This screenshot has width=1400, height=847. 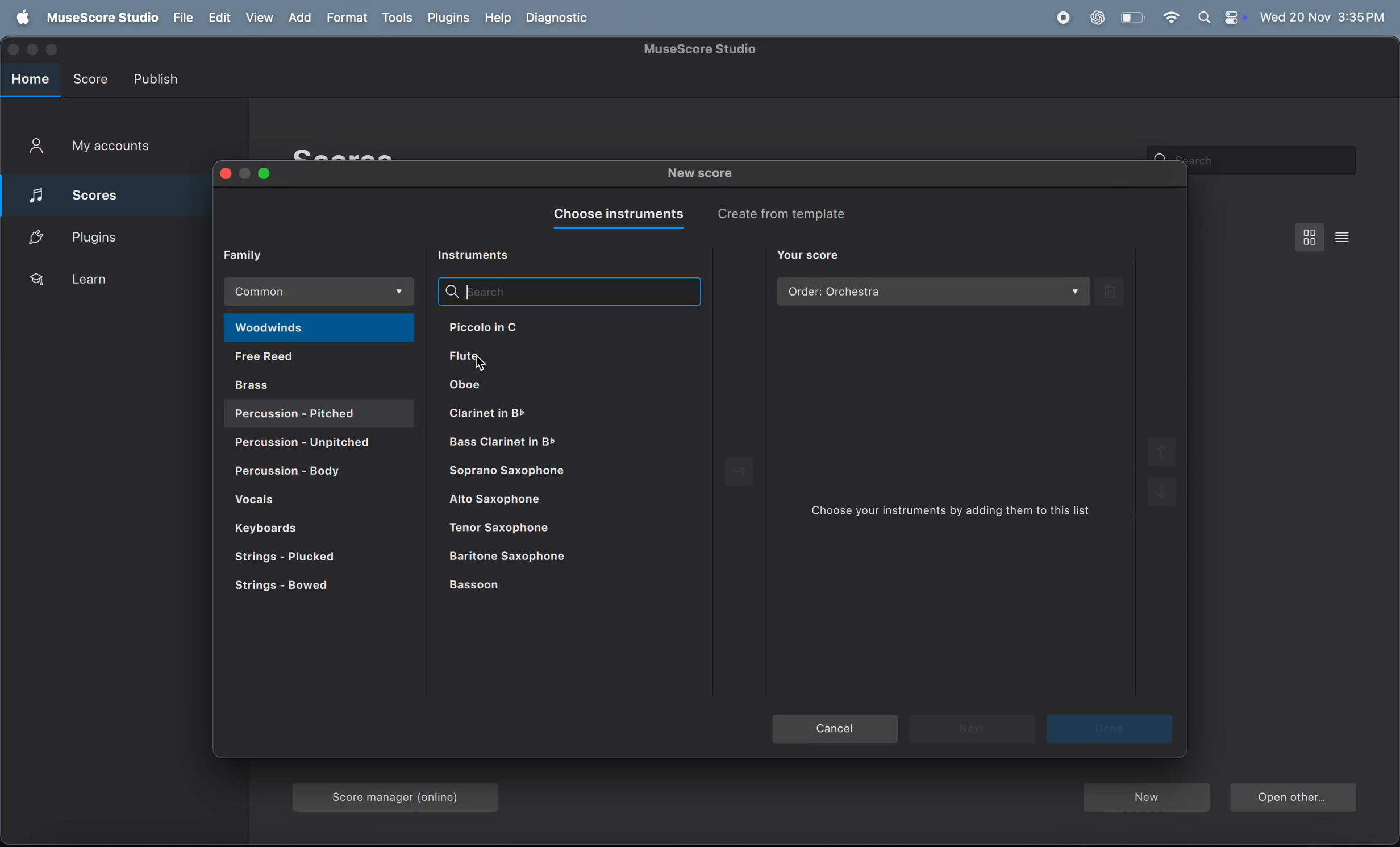 I want to click on alto saxophone, so click(x=560, y=503).